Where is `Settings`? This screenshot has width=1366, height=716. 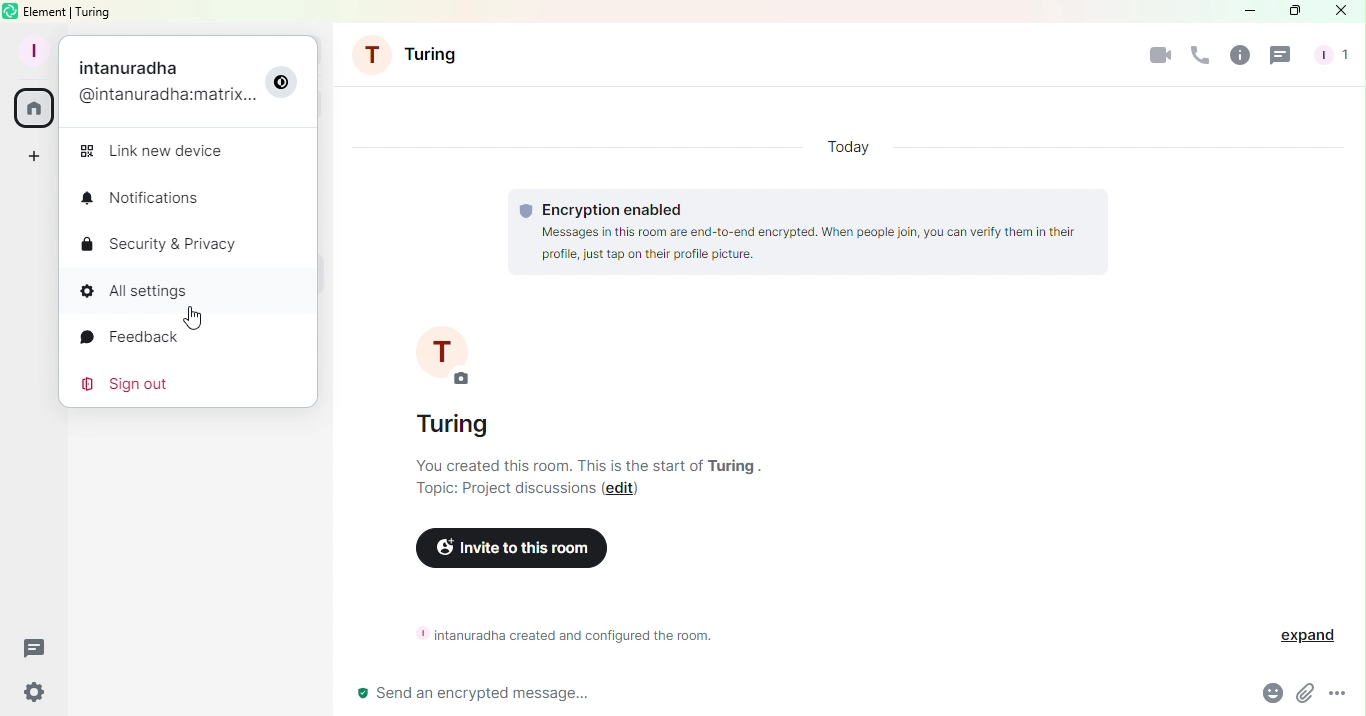
Settings is located at coordinates (35, 690).